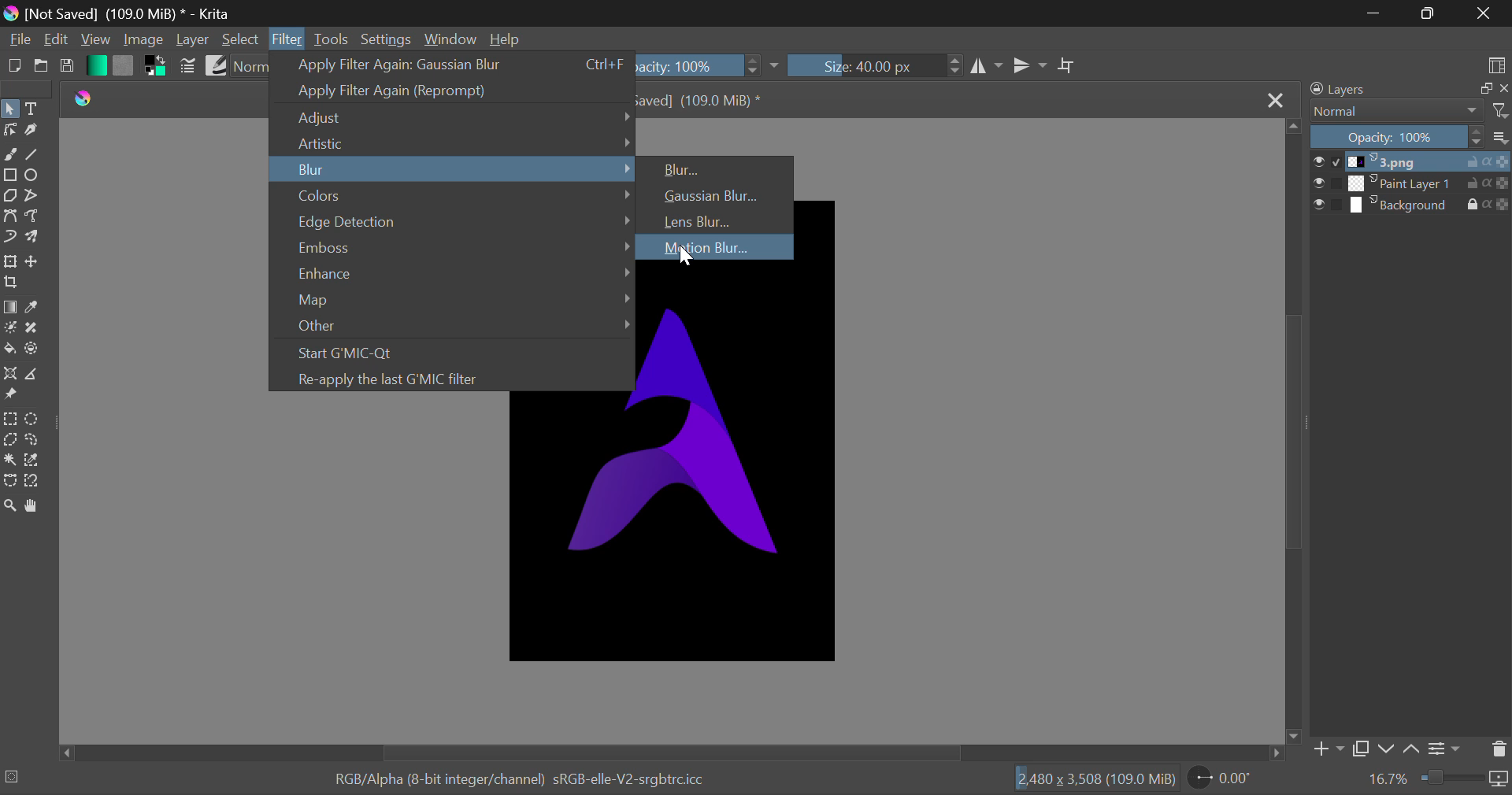 The image size is (1512, 795). Describe the element at coordinates (453, 194) in the screenshot. I see `Colors` at that location.